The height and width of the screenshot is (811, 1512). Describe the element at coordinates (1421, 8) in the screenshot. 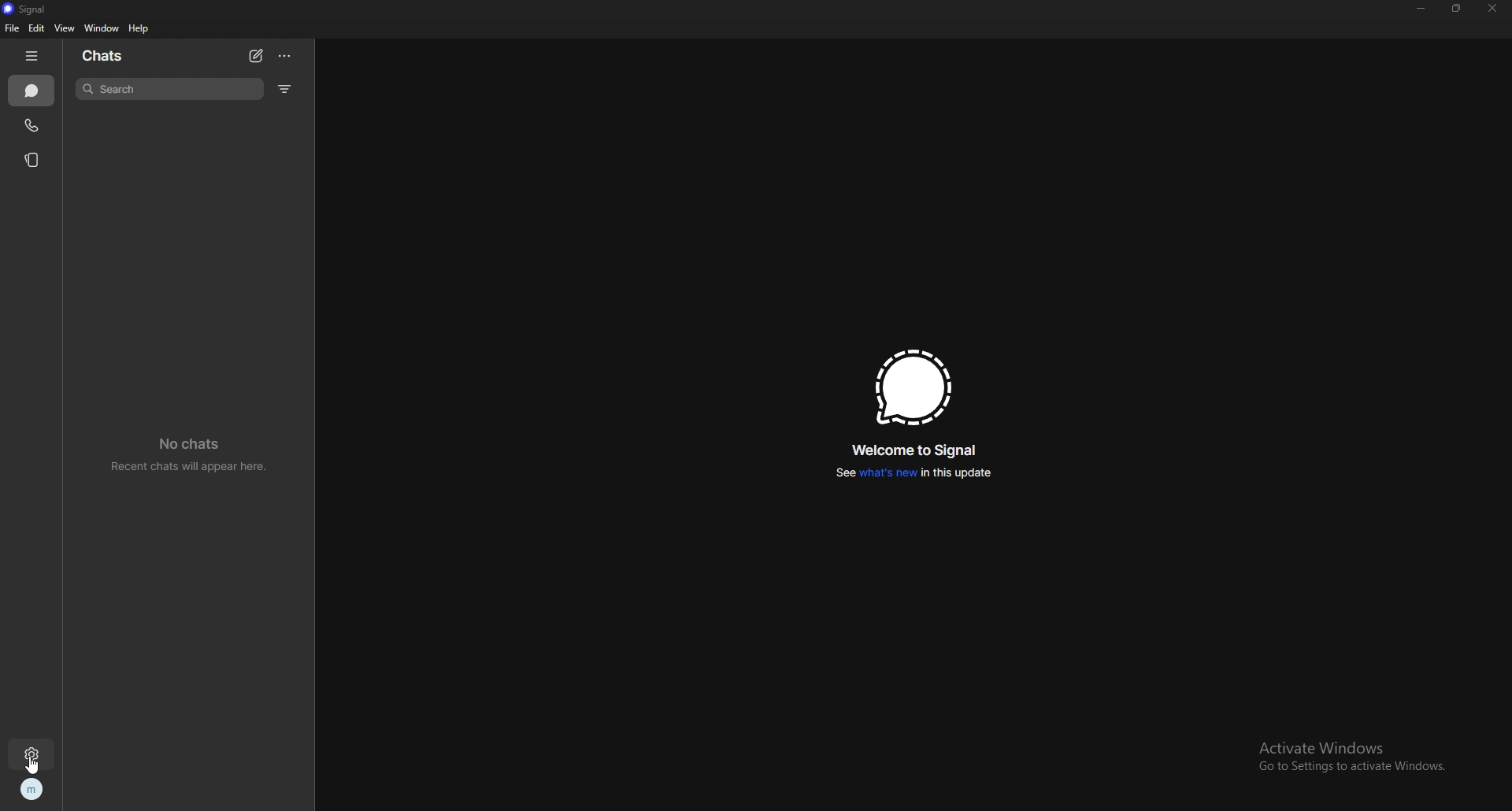

I see `minimize` at that location.